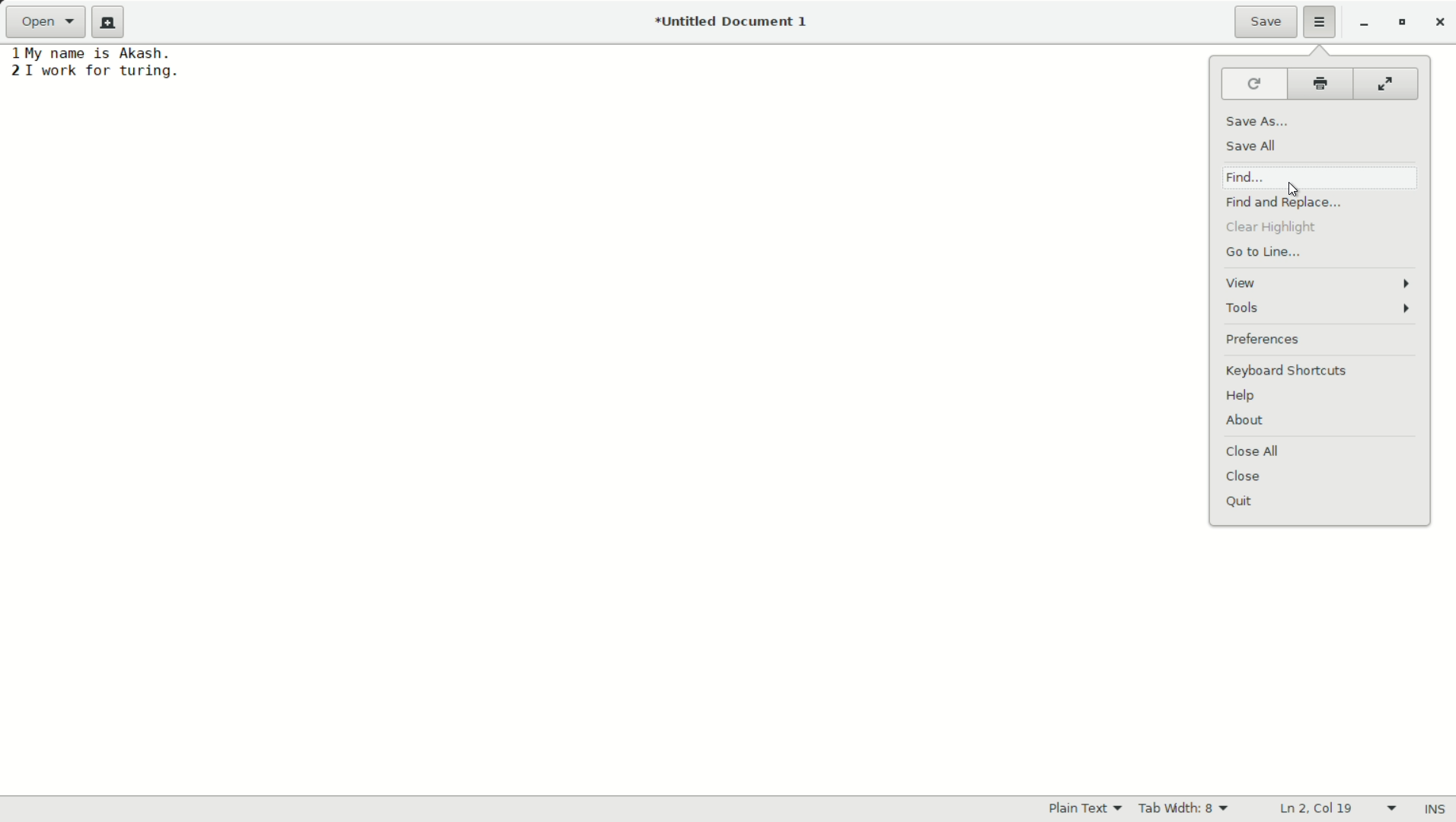 This screenshot has height=822, width=1456. What do you see at coordinates (1259, 122) in the screenshot?
I see `save as` at bounding box center [1259, 122].